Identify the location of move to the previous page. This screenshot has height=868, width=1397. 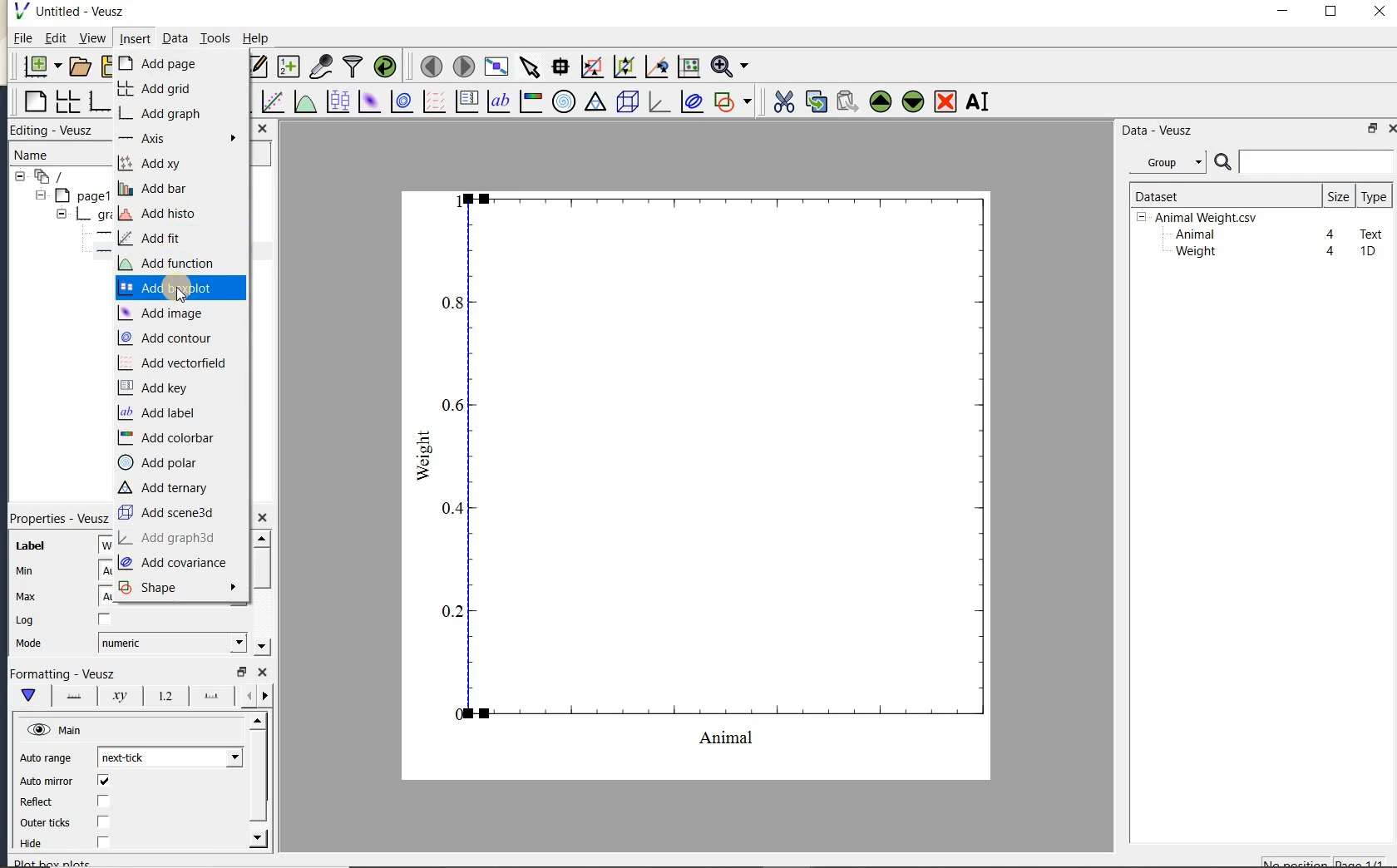
(428, 65).